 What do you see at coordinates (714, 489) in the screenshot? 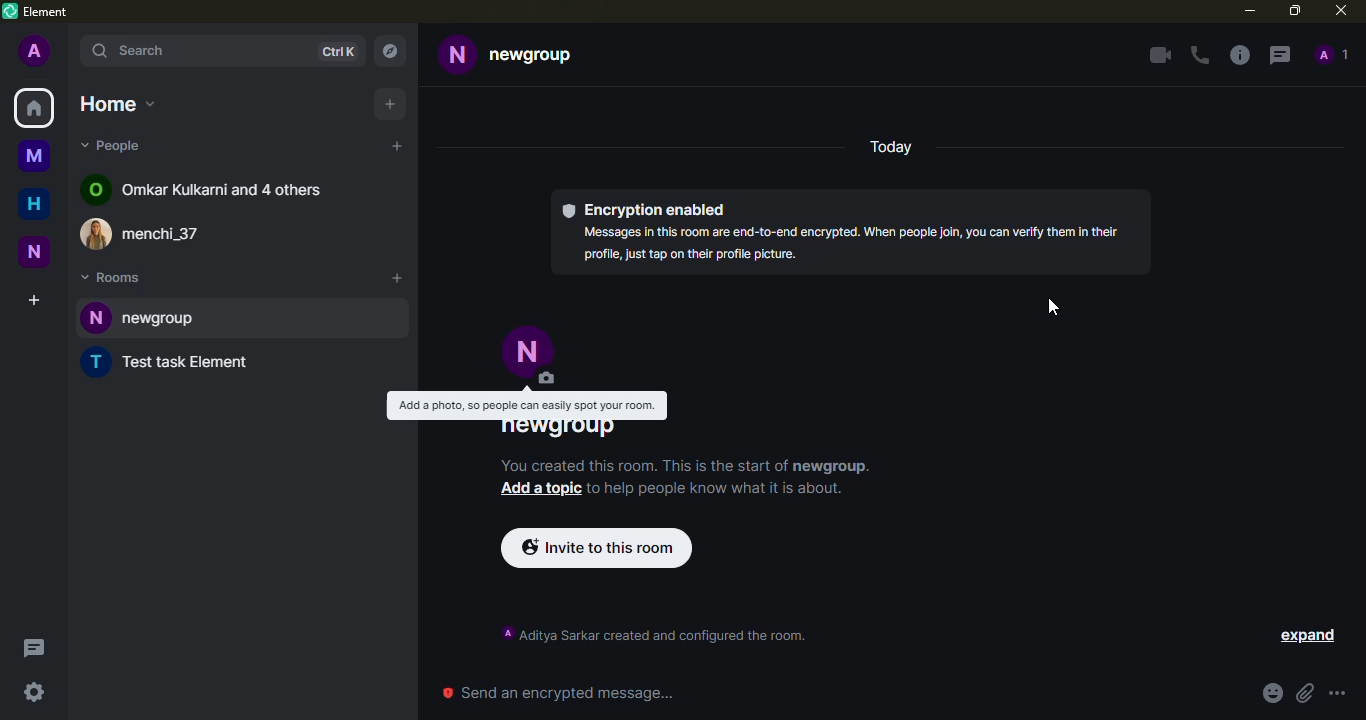
I see `to help people know what it is about.` at bounding box center [714, 489].